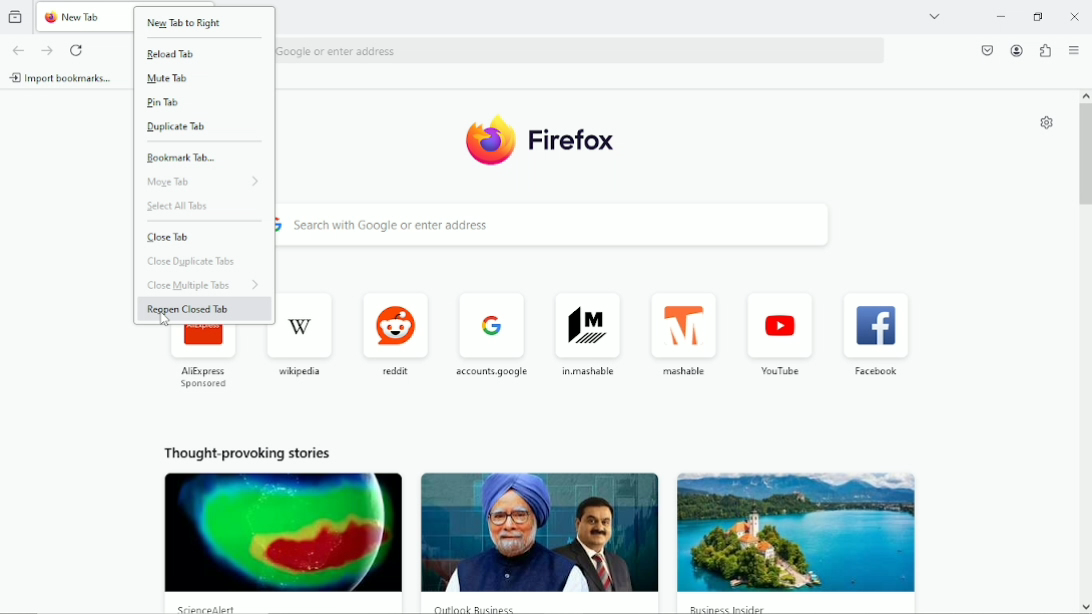 The height and width of the screenshot is (614, 1092). What do you see at coordinates (166, 237) in the screenshot?
I see `close tab` at bounding box center [166, 237].